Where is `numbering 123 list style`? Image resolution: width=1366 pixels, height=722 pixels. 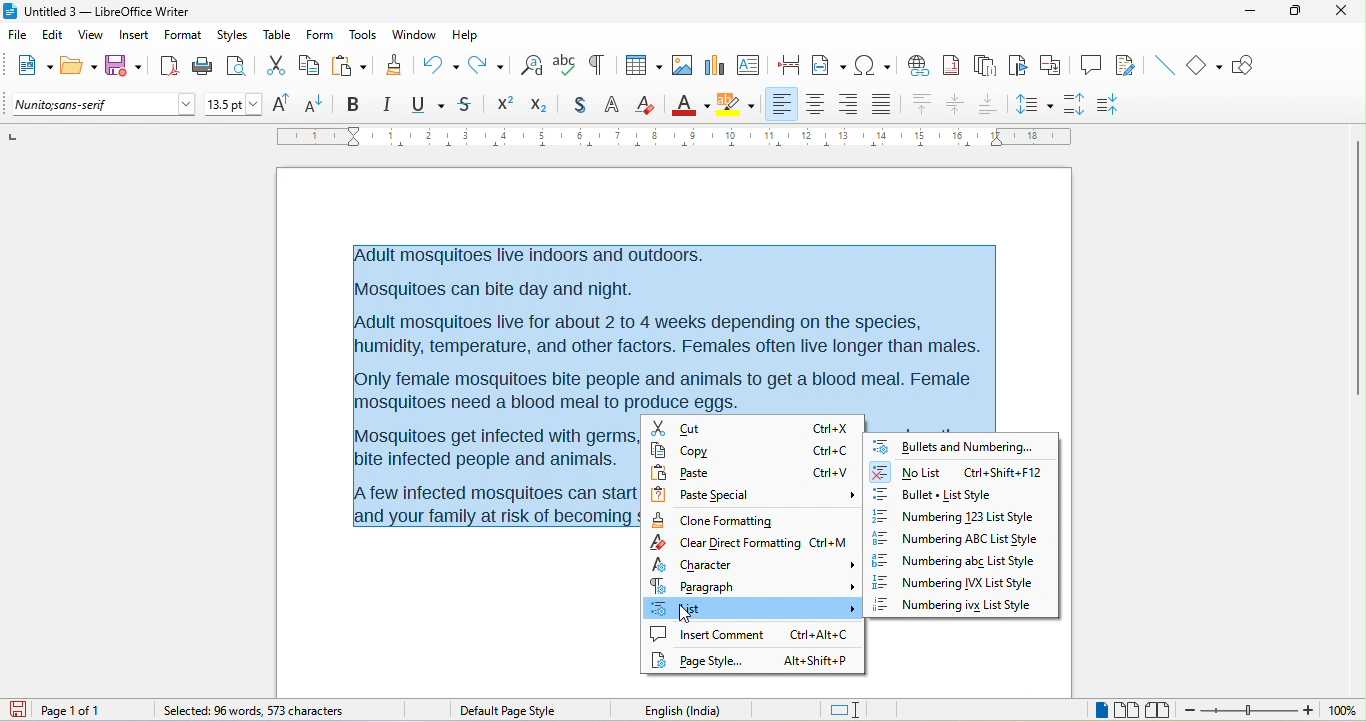
numbering 123 list style is located at coordinates (961, 516).